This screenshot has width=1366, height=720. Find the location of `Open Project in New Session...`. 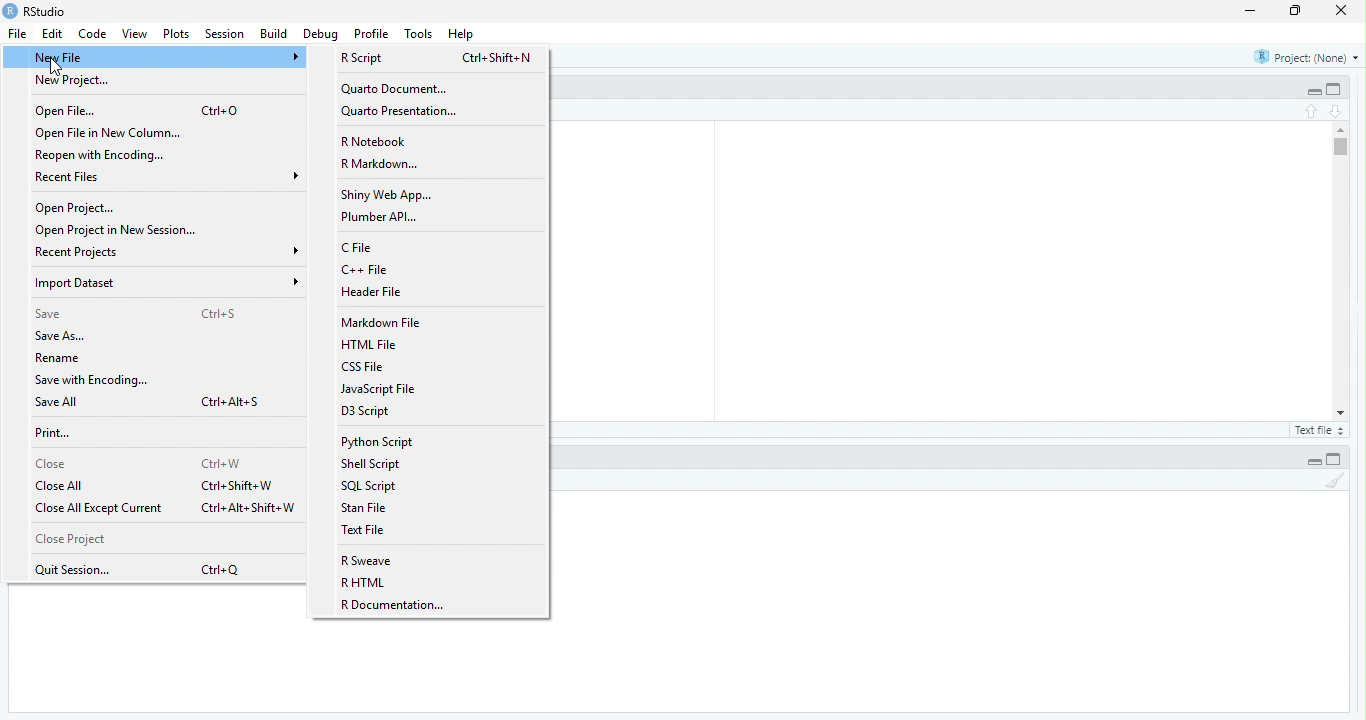

Open Project in New Session... is located at coordinates (119, 231).